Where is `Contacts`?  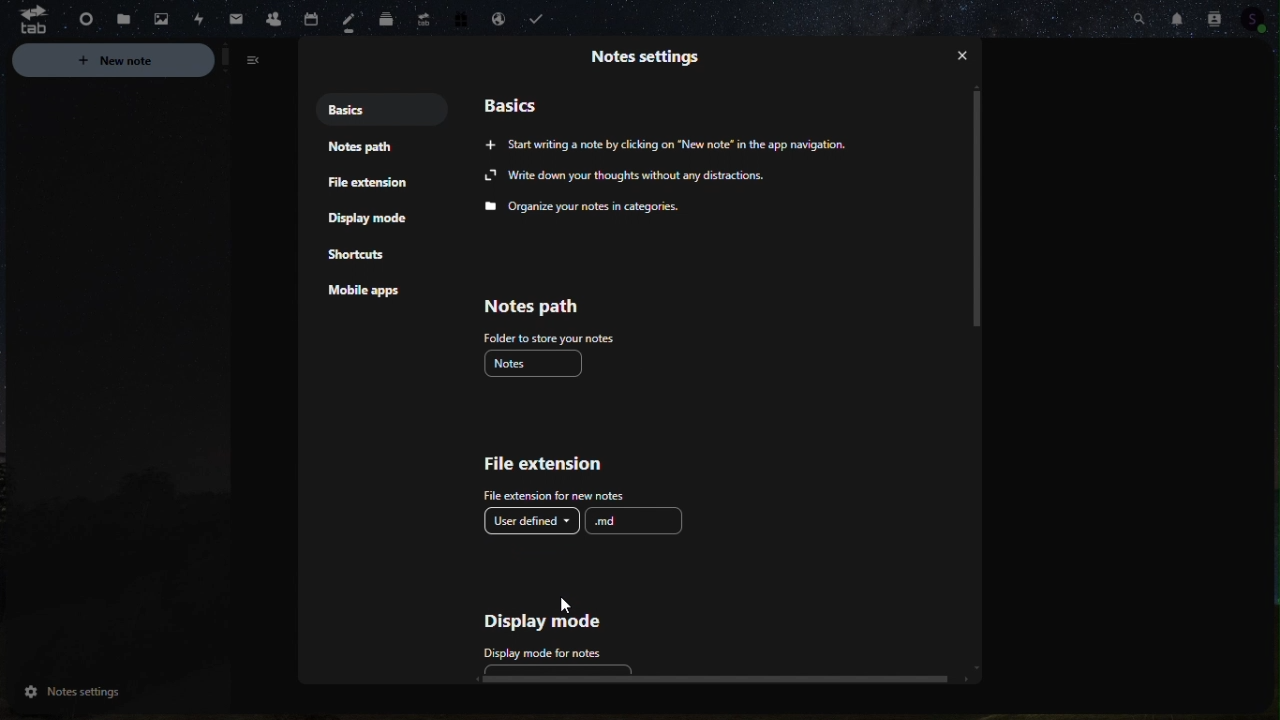
Contacts is located at coordinates (272, 16).